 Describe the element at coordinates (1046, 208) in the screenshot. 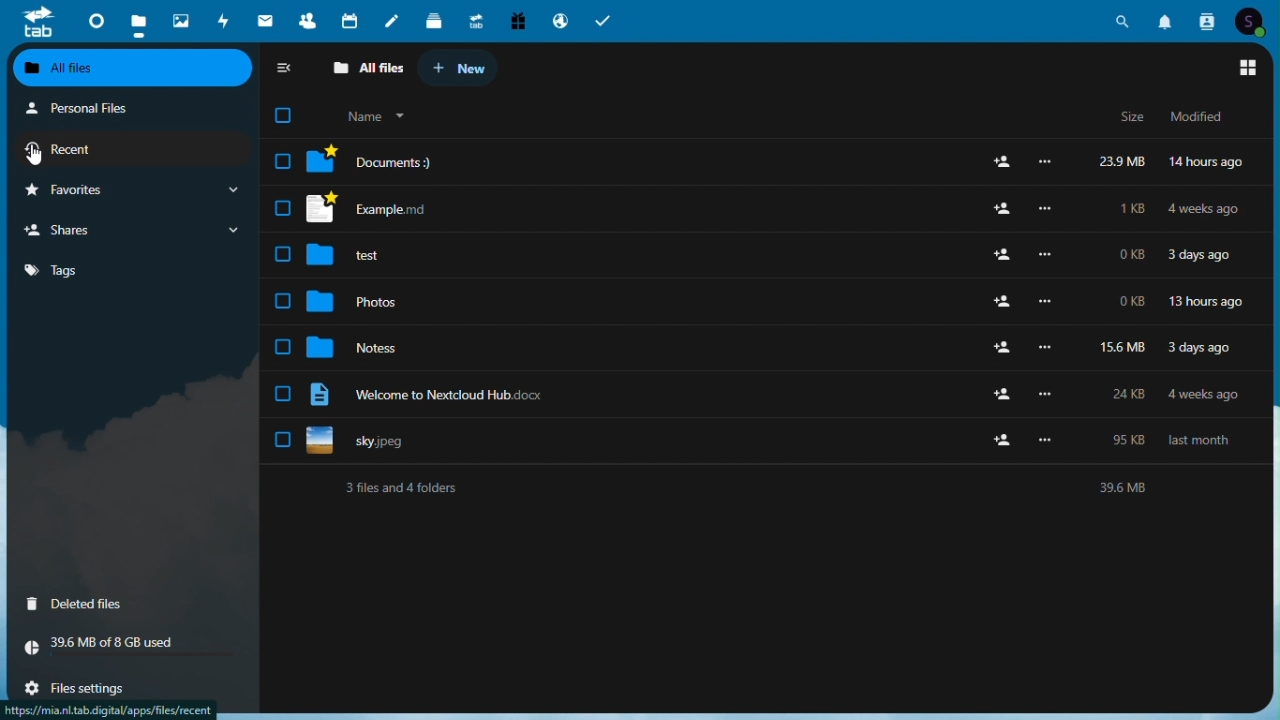

I see `options` at that location.